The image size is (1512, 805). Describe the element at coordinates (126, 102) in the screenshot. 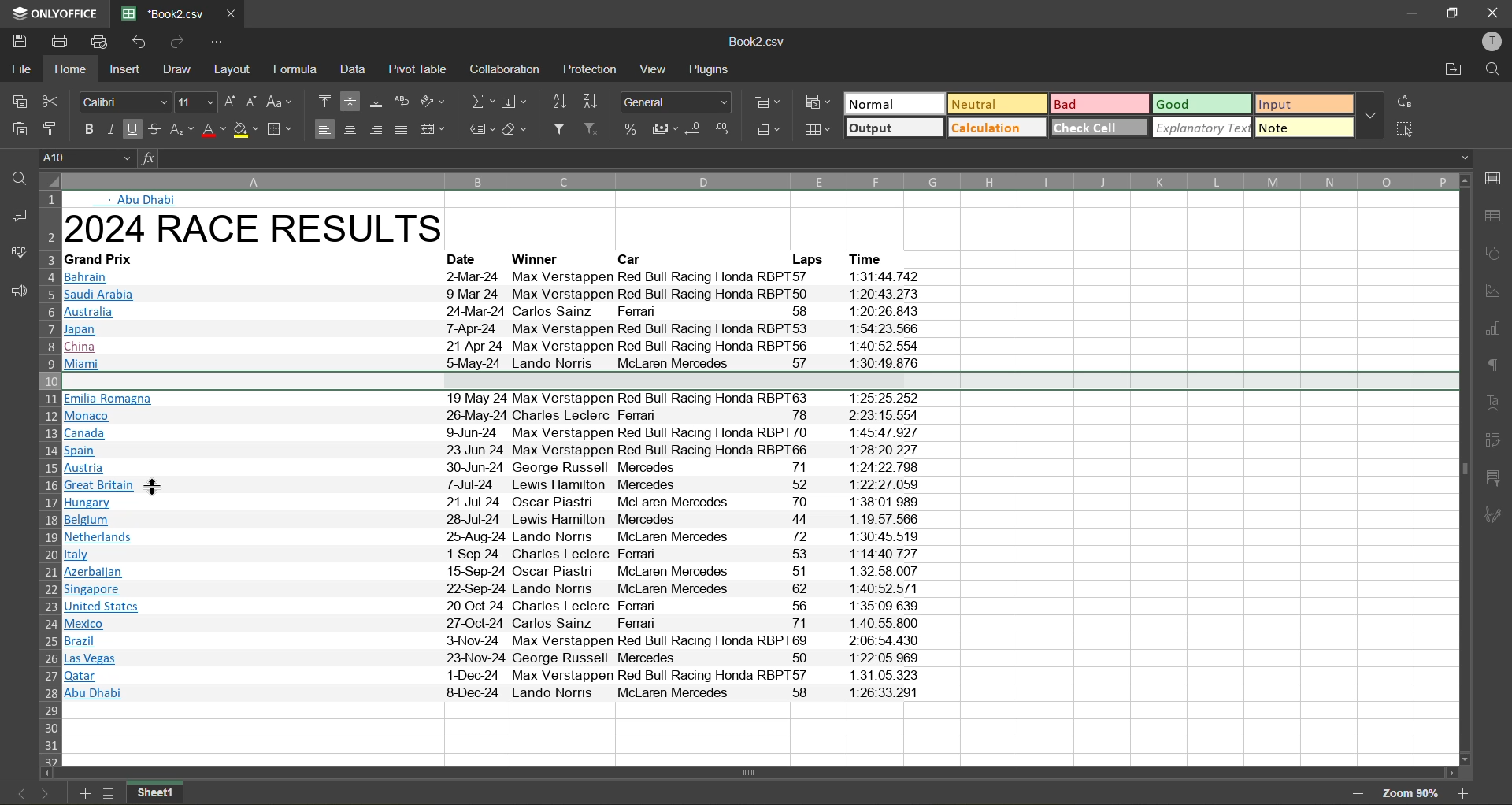

I see `font style` at that location.